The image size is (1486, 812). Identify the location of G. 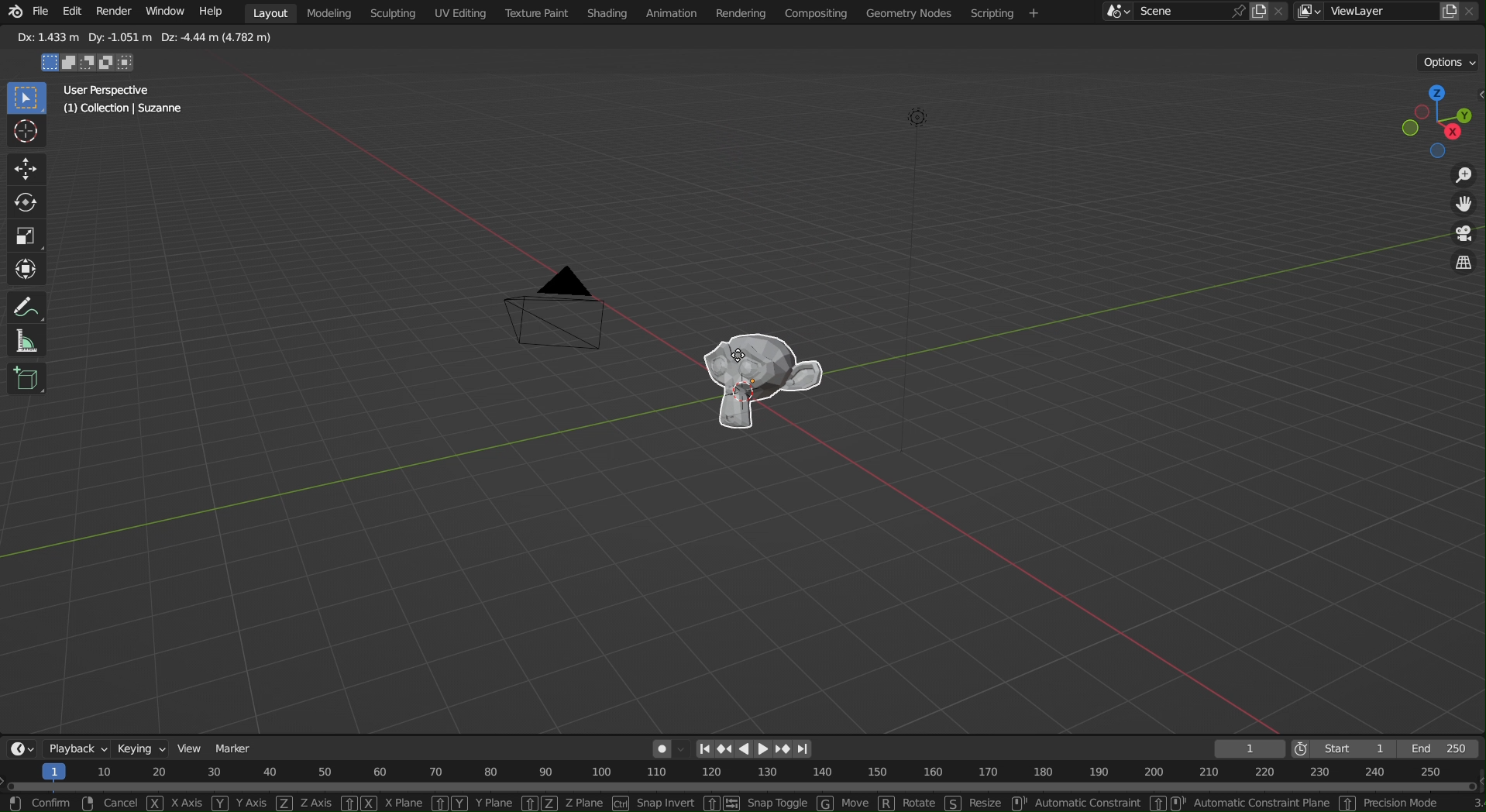
(826, 803).